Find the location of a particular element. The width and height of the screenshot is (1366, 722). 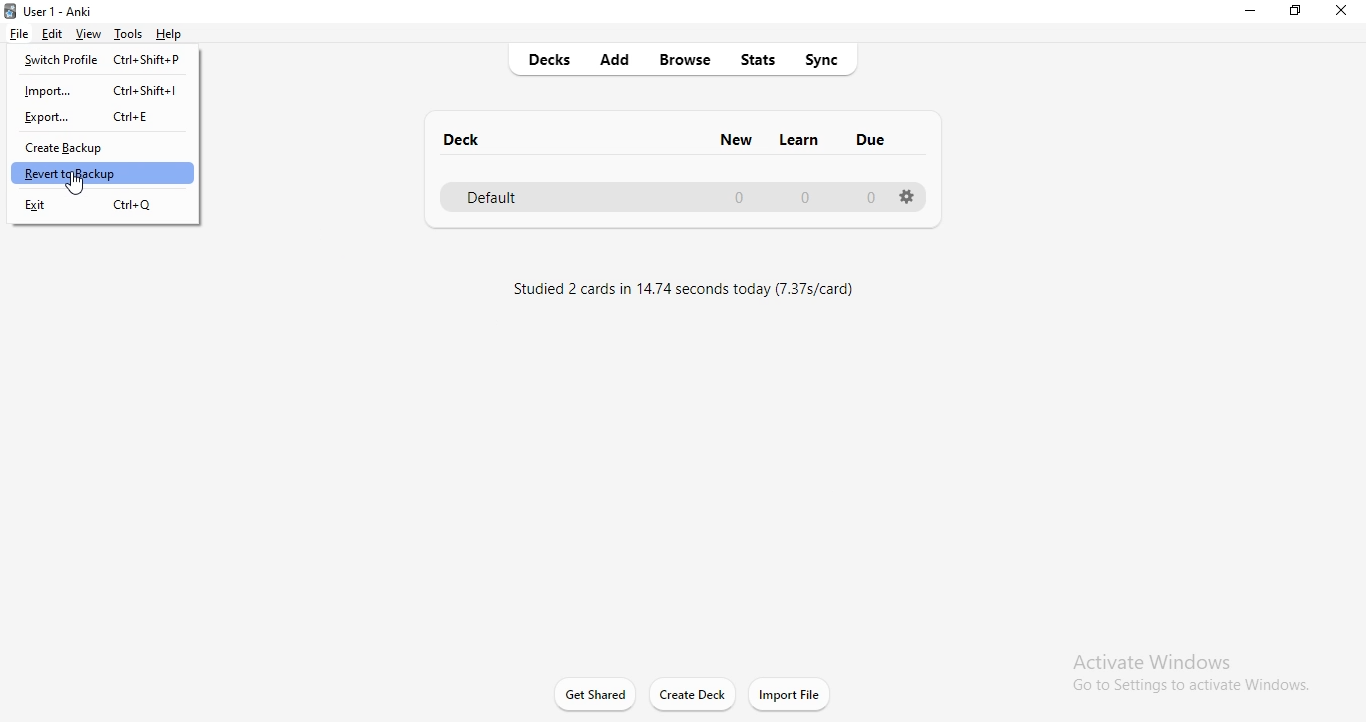

learn is located at coordinates (801, 137).